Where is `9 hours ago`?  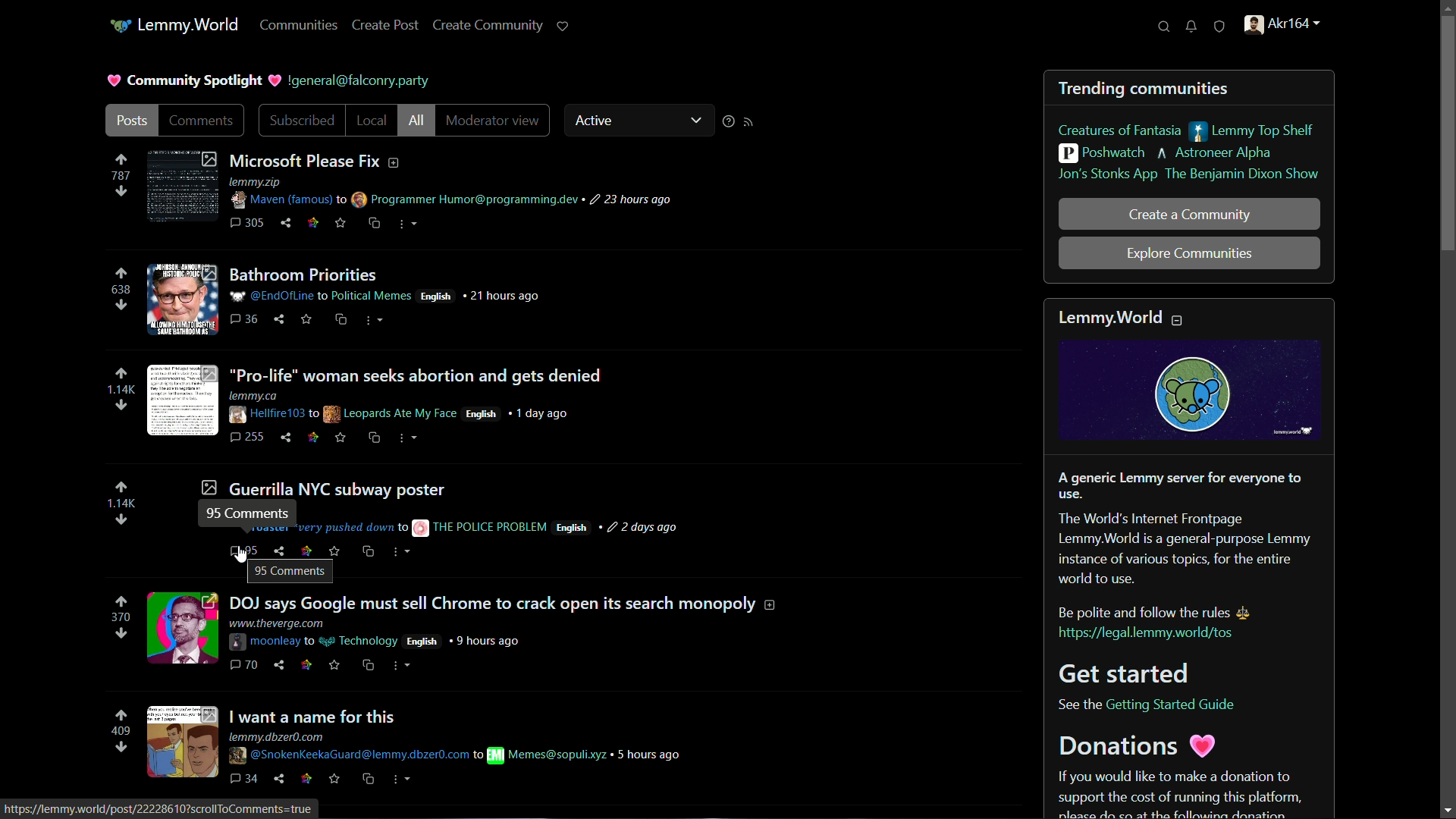 9 hours ago is located at coordinates (487, 641).